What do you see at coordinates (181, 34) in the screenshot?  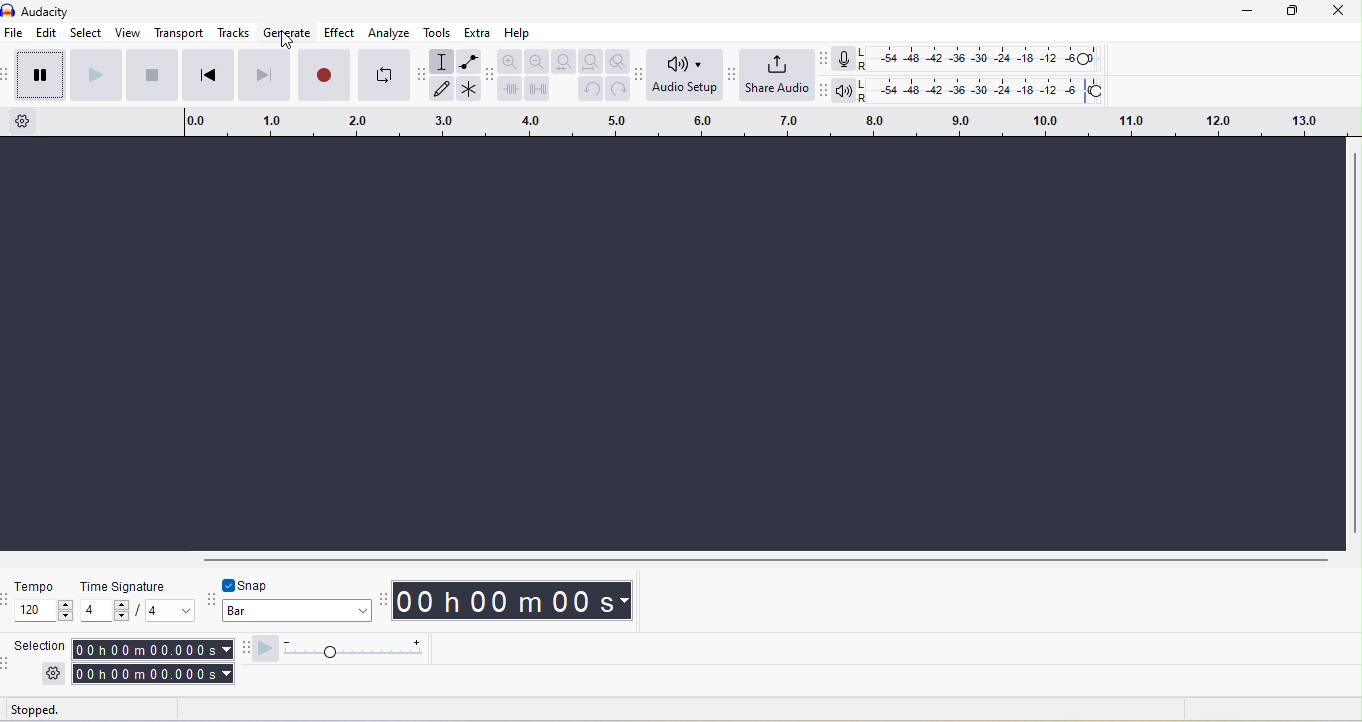 I see `transport` at bounding box center [181, 34].